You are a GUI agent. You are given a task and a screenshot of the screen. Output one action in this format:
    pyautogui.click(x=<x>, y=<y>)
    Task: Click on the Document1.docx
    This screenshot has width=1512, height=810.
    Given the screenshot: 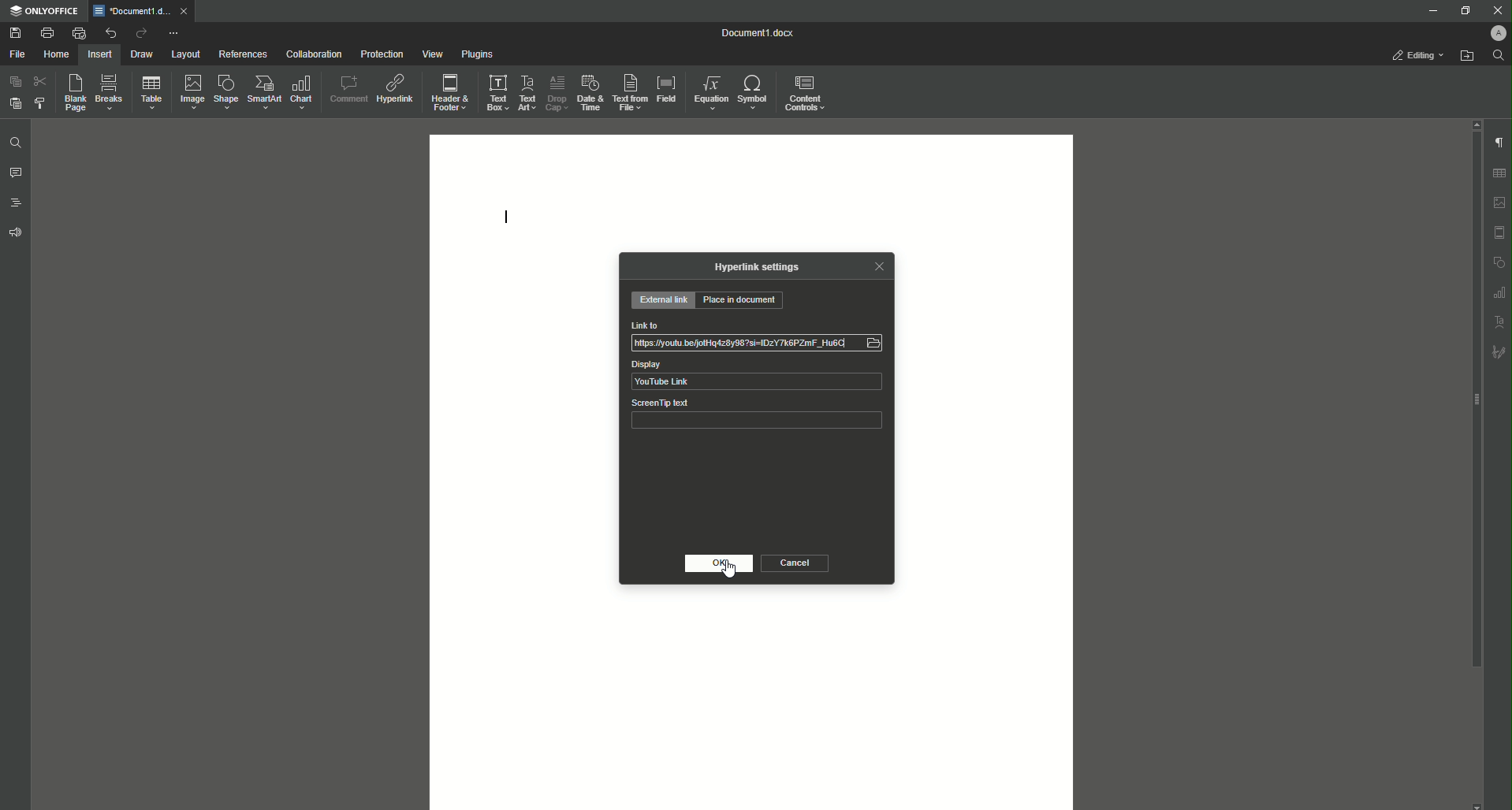 What is the action you would take?
    pyautogui.click(x=762, y=32)
    